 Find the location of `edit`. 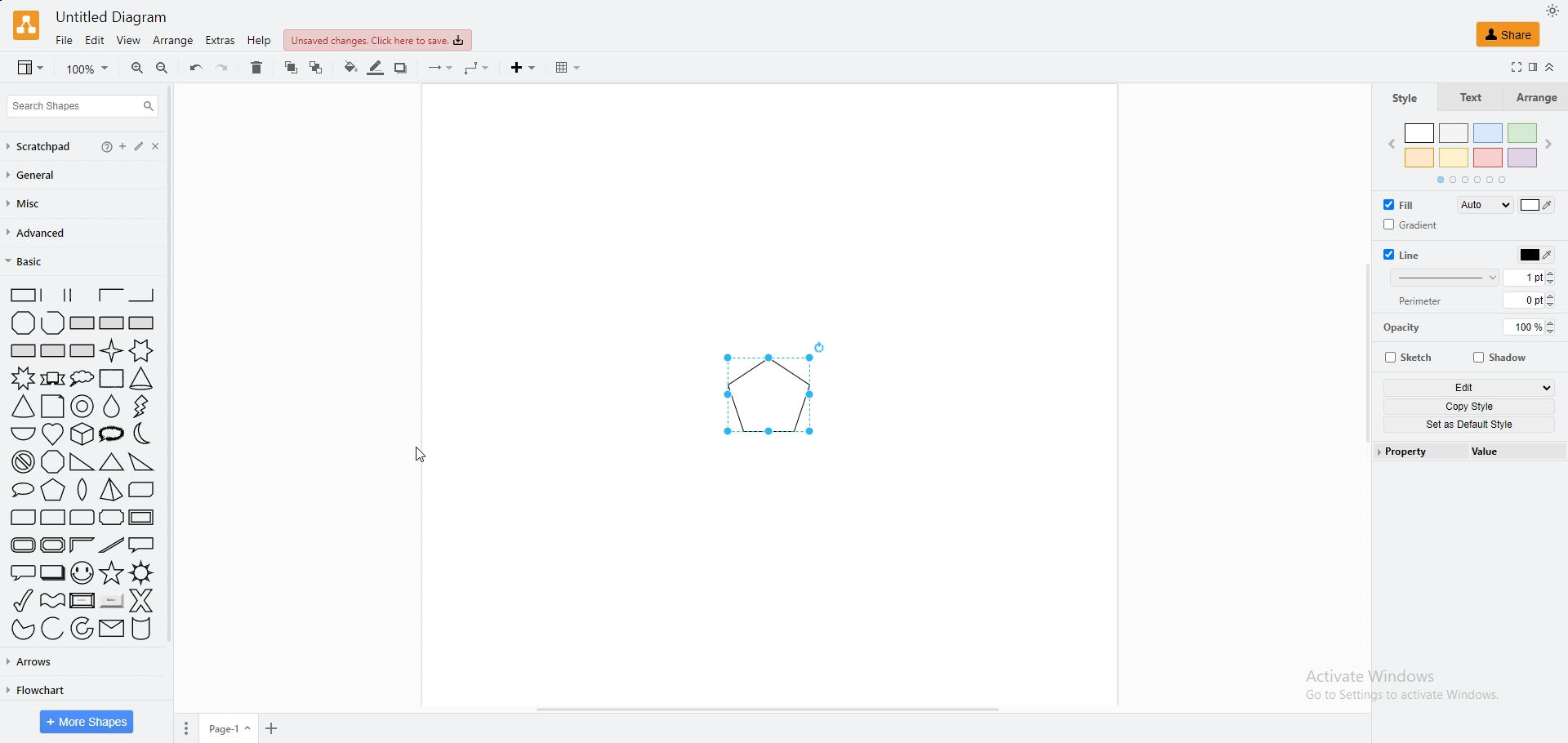

edit is located at coordinates (1469, 387).